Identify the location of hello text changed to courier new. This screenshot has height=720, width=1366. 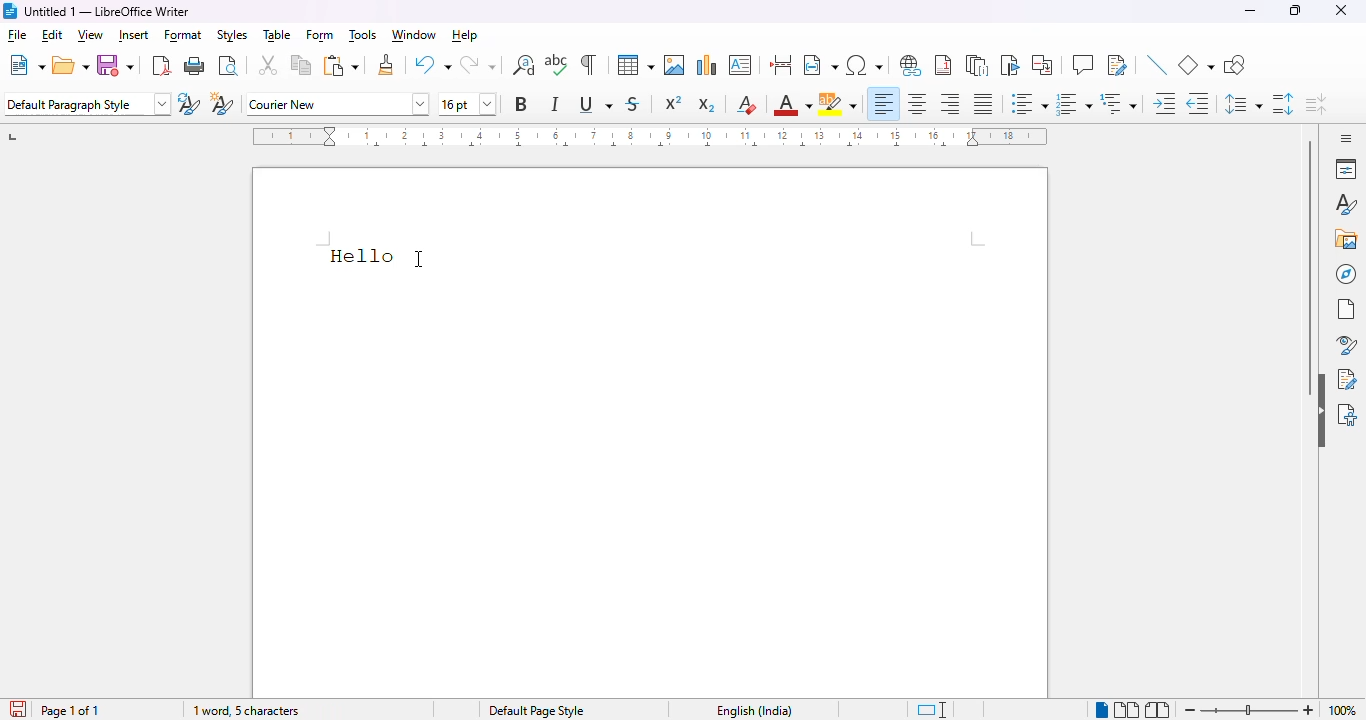
(361, 254).